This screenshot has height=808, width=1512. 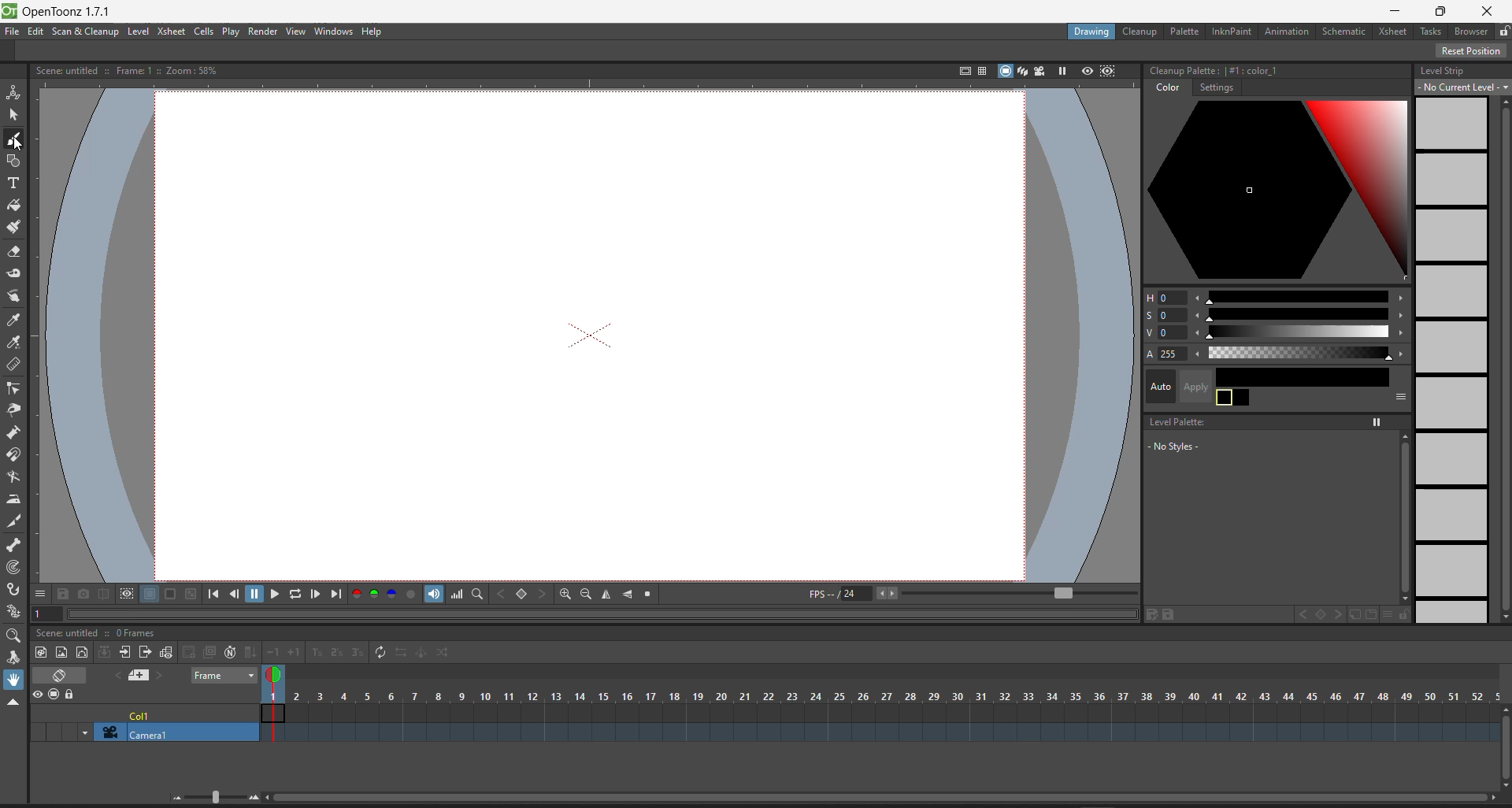 What do you see at coordinates (251, 645) in the screenshot?
I see `fill in empty cells` at bounding box center [251, 645].